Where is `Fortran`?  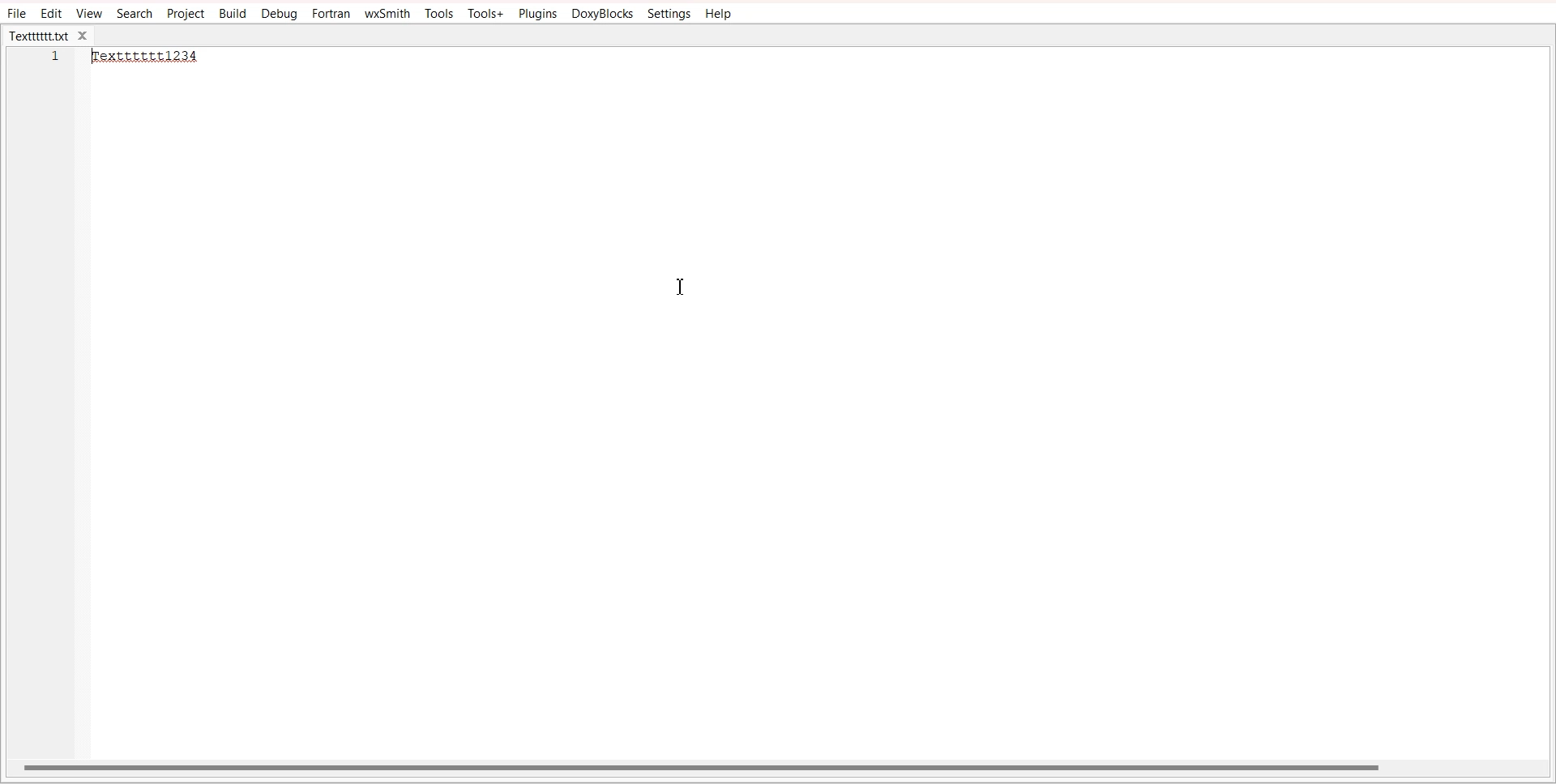
Fortran is located at coordinates (331, 13).